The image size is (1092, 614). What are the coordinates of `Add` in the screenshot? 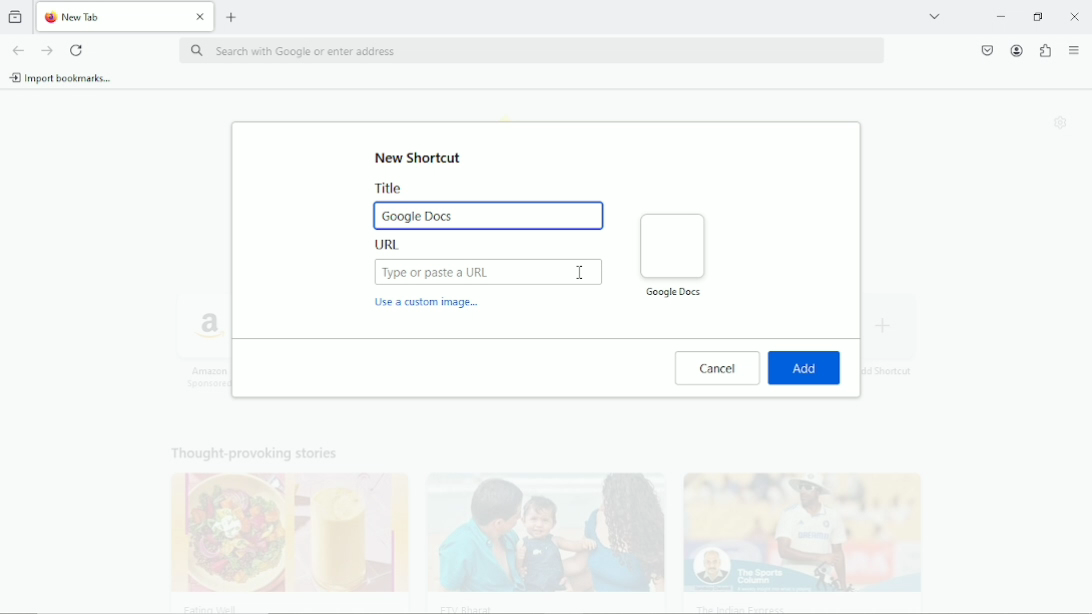 It's located at (805, 368).